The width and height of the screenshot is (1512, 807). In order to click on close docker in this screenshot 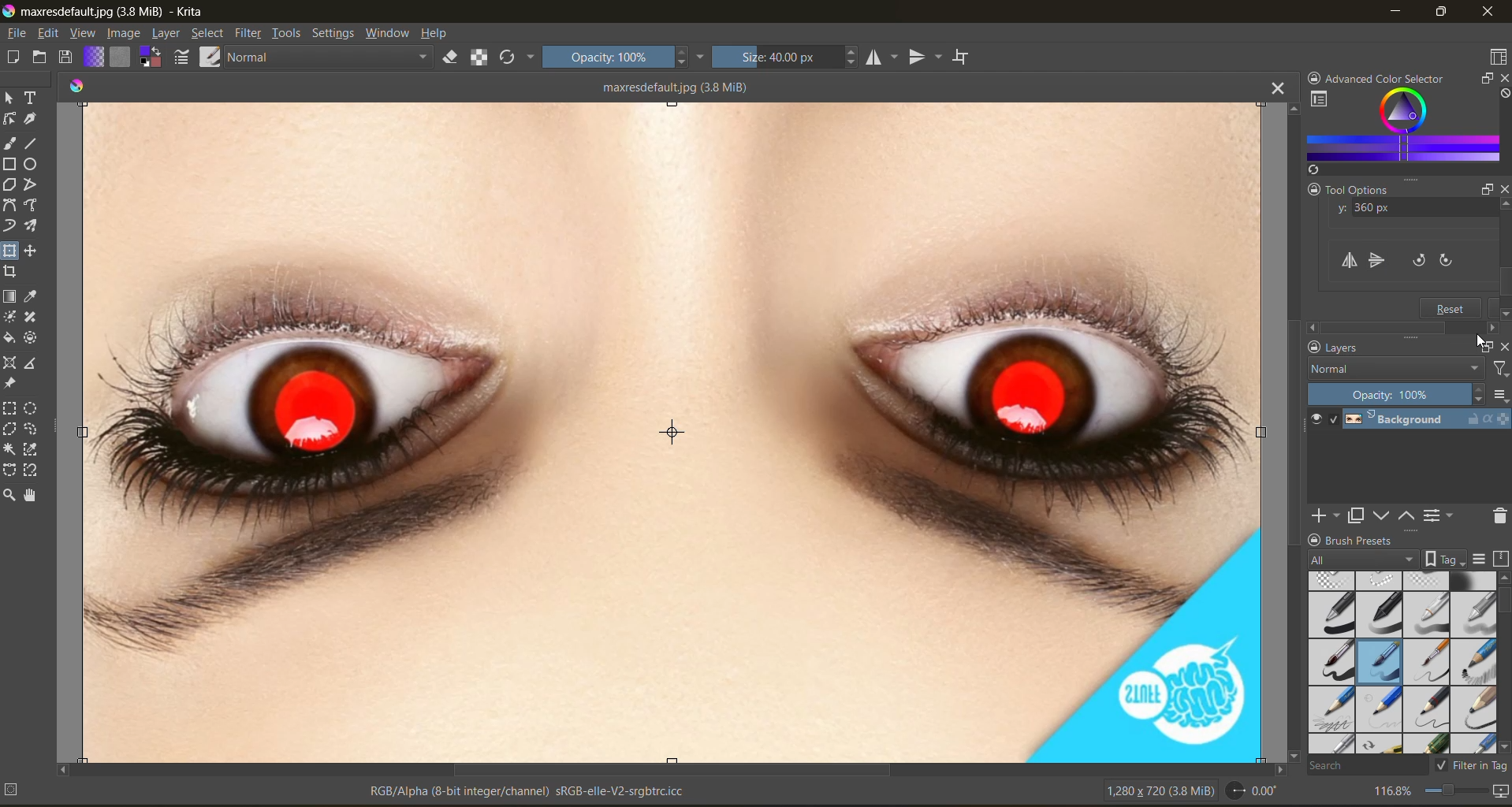, I will do `click(1503, 80)`.